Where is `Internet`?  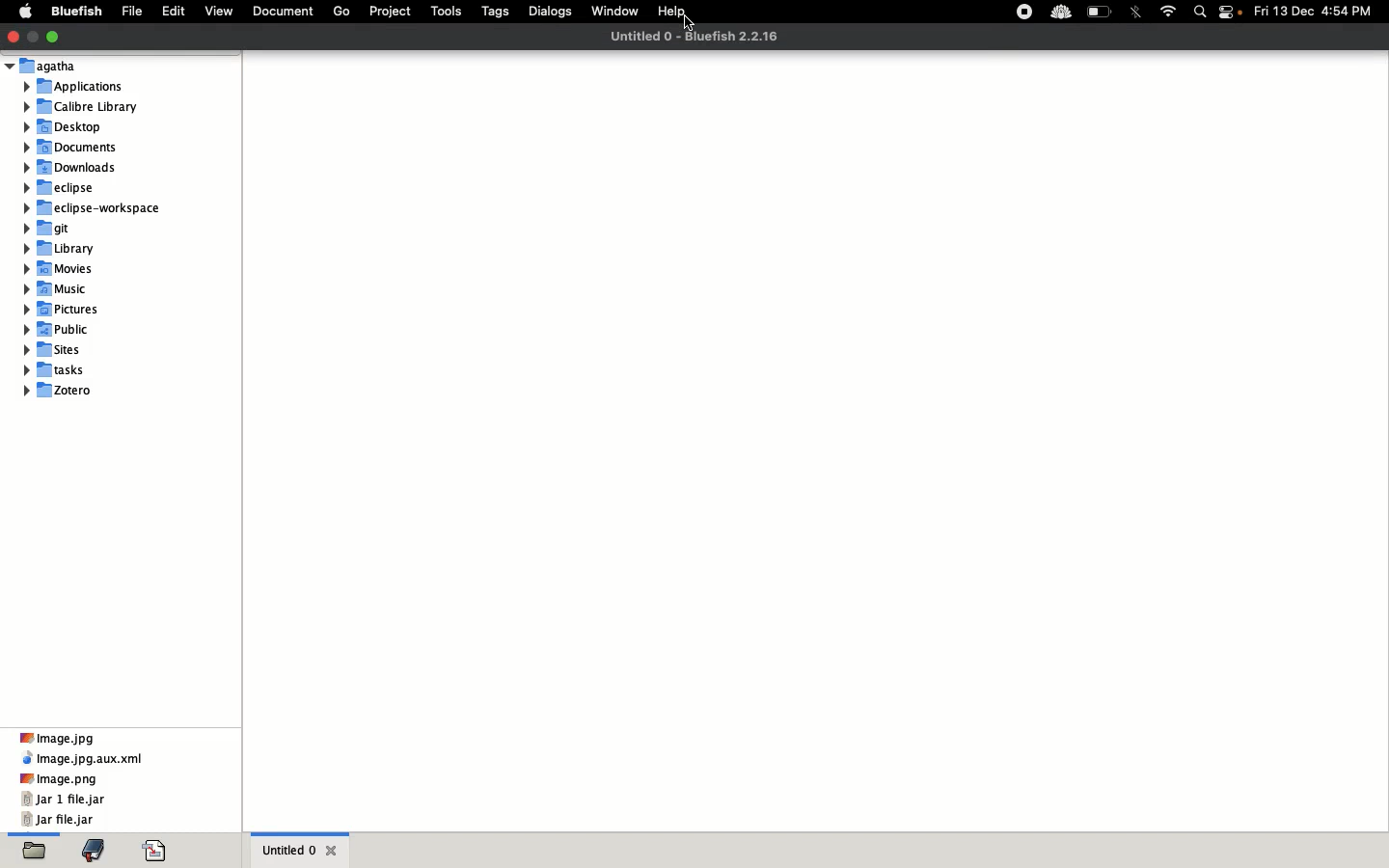
Internet is located at coordinates (1168, 11).